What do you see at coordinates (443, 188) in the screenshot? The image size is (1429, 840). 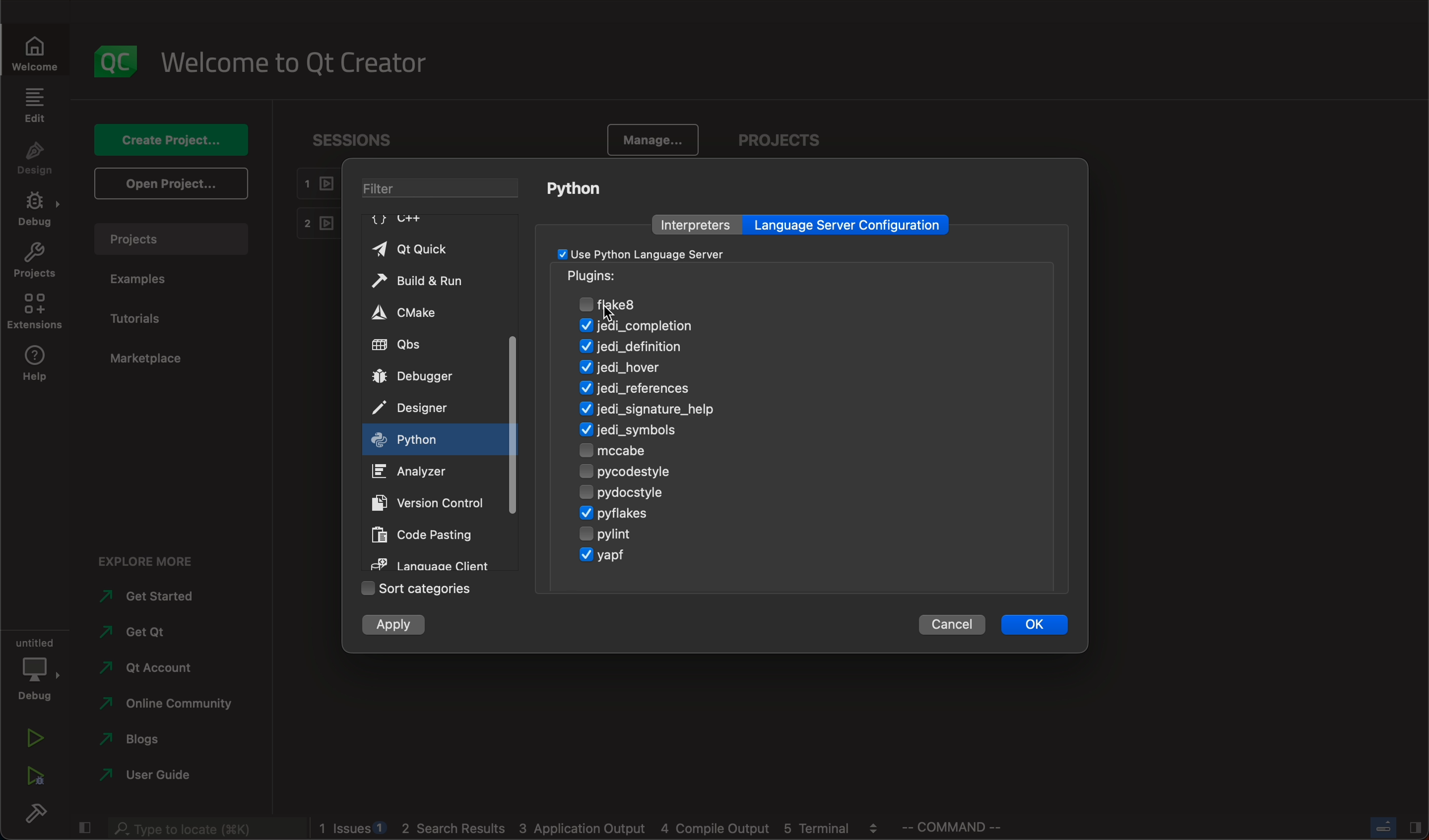 I see `filter` at bounding box center [443, 188].